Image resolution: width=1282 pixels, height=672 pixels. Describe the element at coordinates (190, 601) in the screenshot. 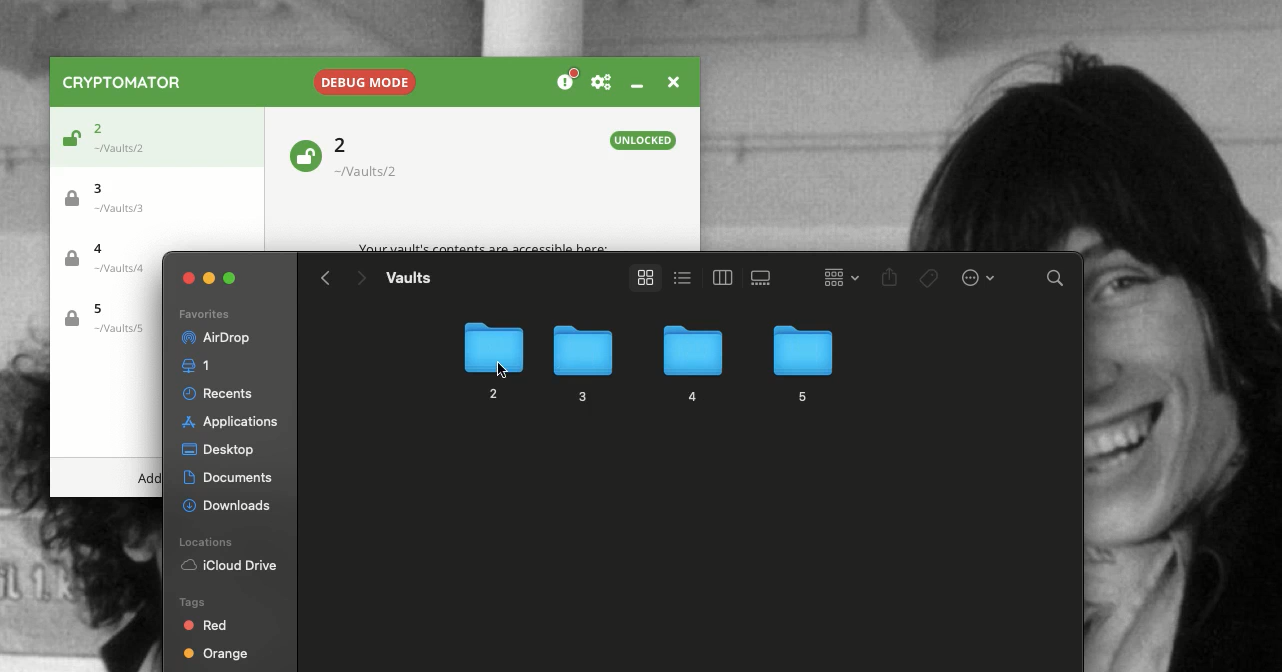

I see `Tags` at that location.